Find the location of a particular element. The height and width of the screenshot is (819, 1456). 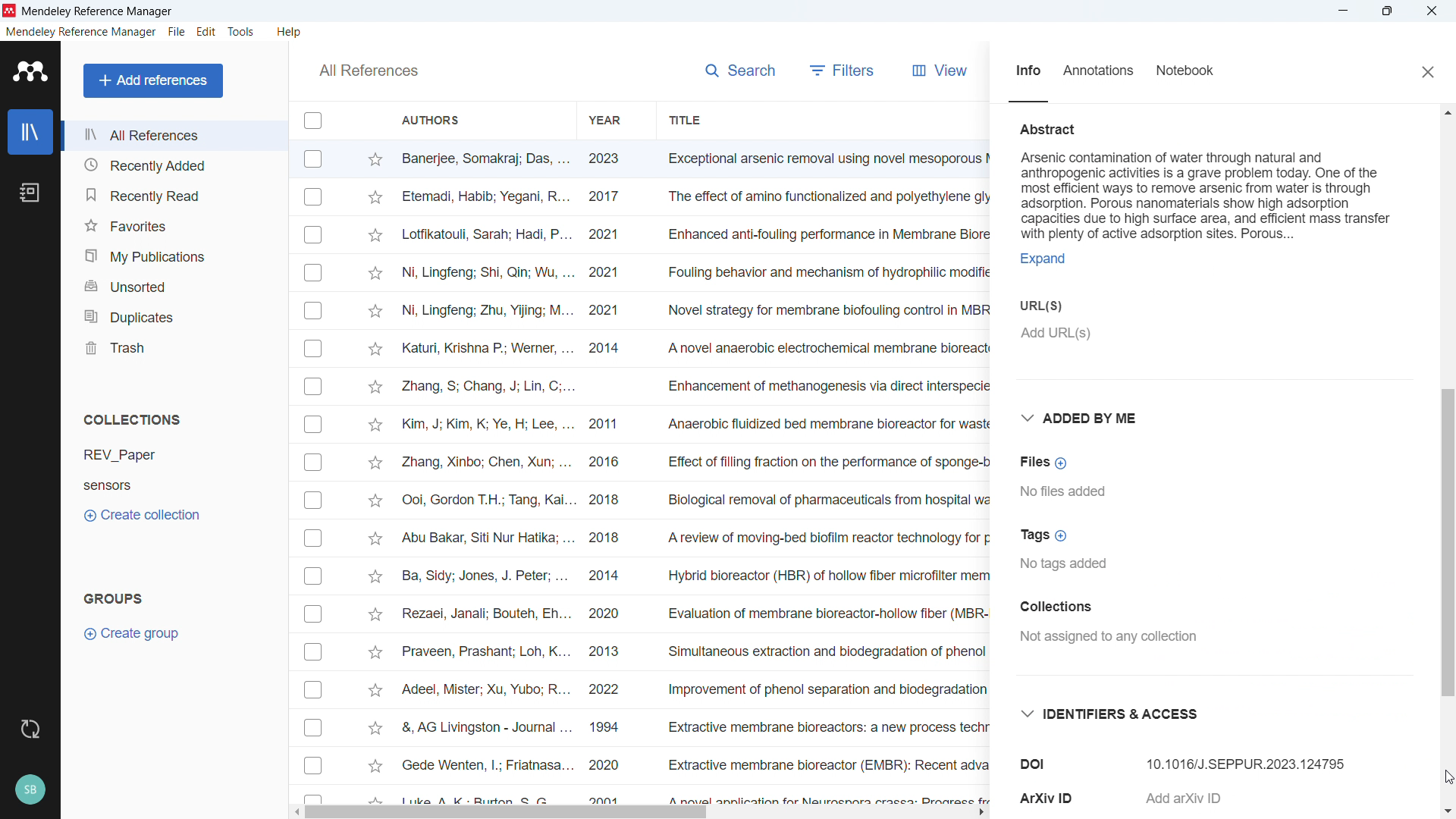

2016 is located at coordinates (610, 463).